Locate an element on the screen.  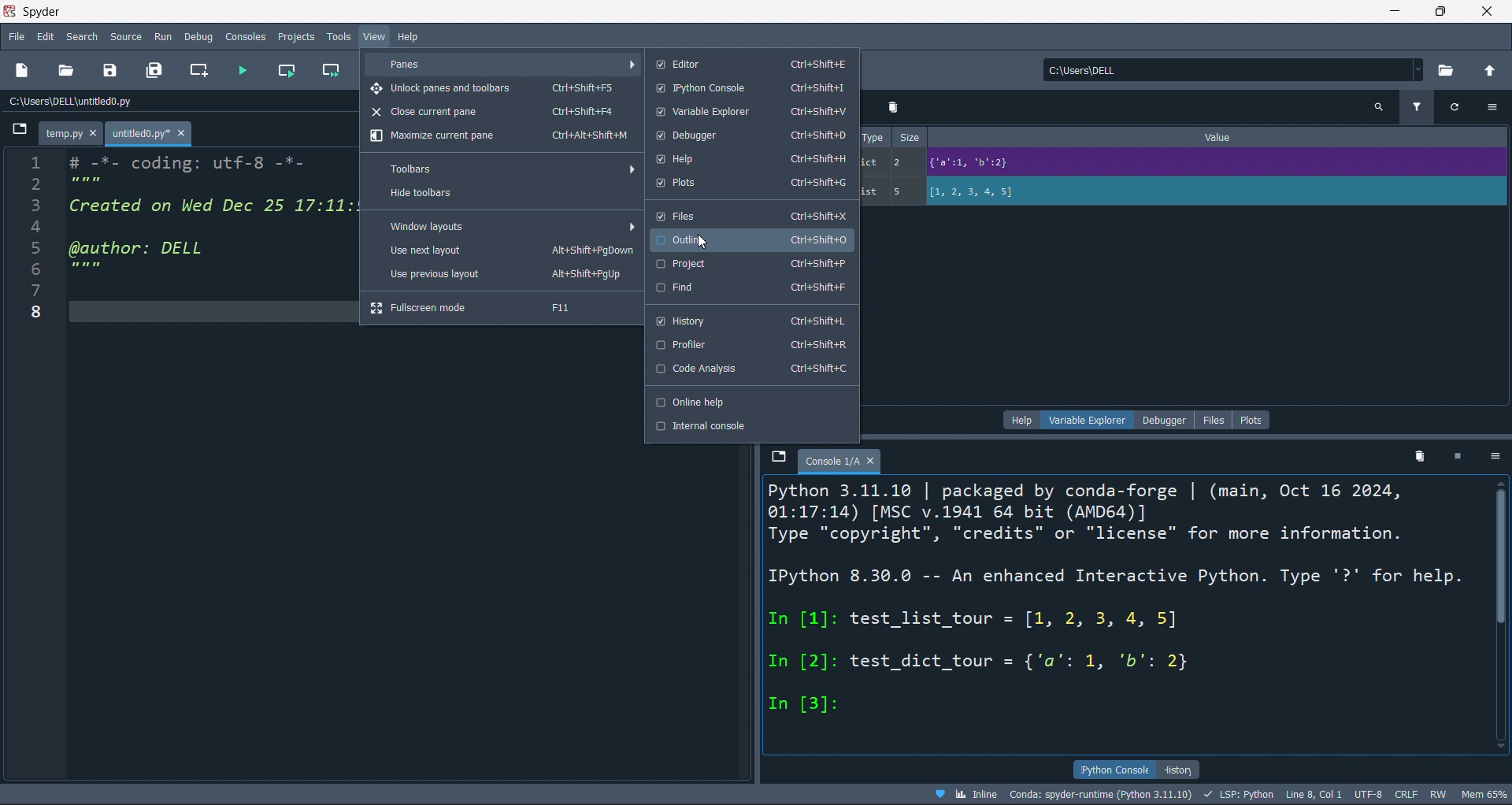
cursor is located at coordinates (702, 243).